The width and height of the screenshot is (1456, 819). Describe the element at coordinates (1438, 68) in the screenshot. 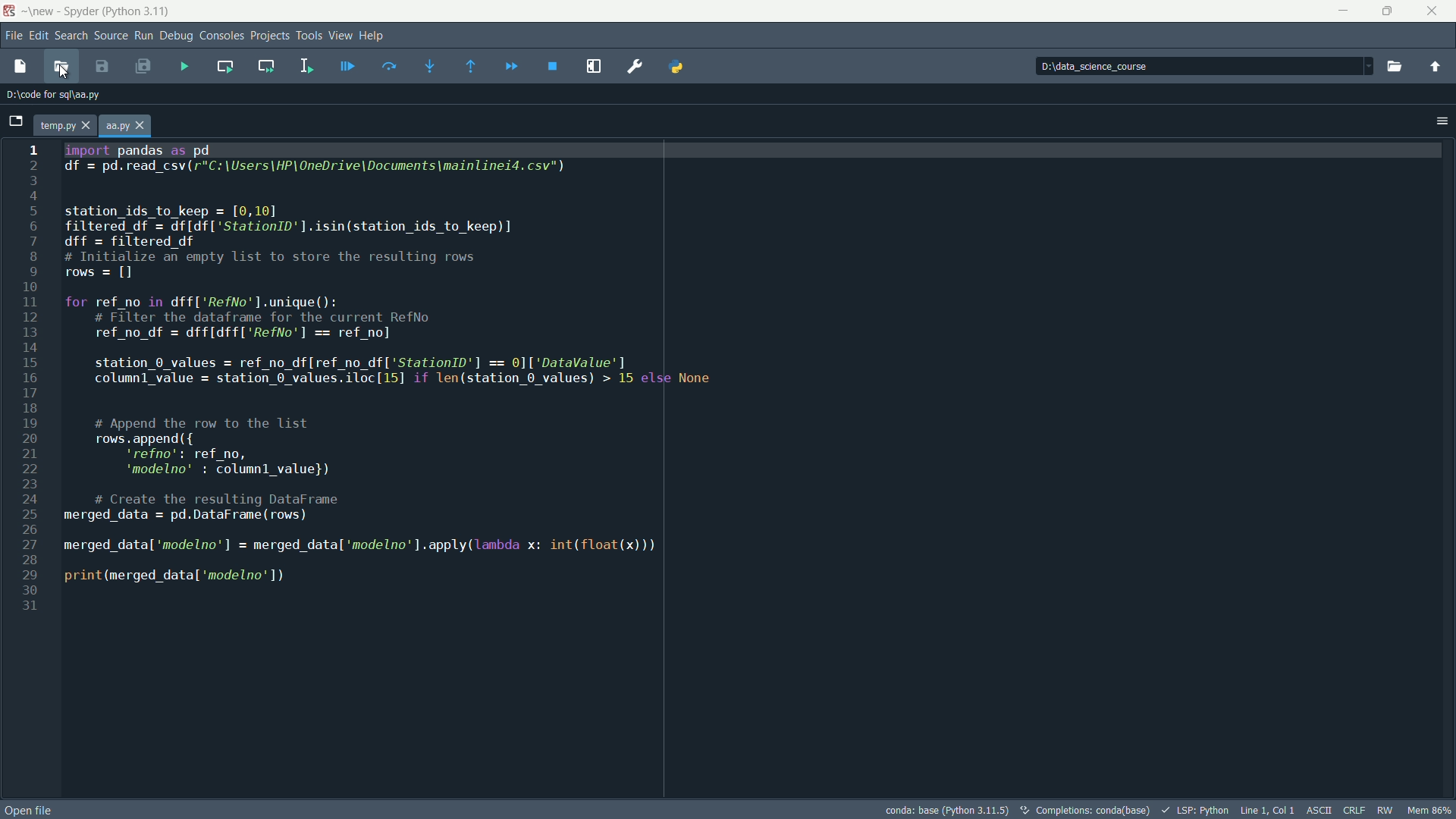

I see `change to parent directory` at that location.